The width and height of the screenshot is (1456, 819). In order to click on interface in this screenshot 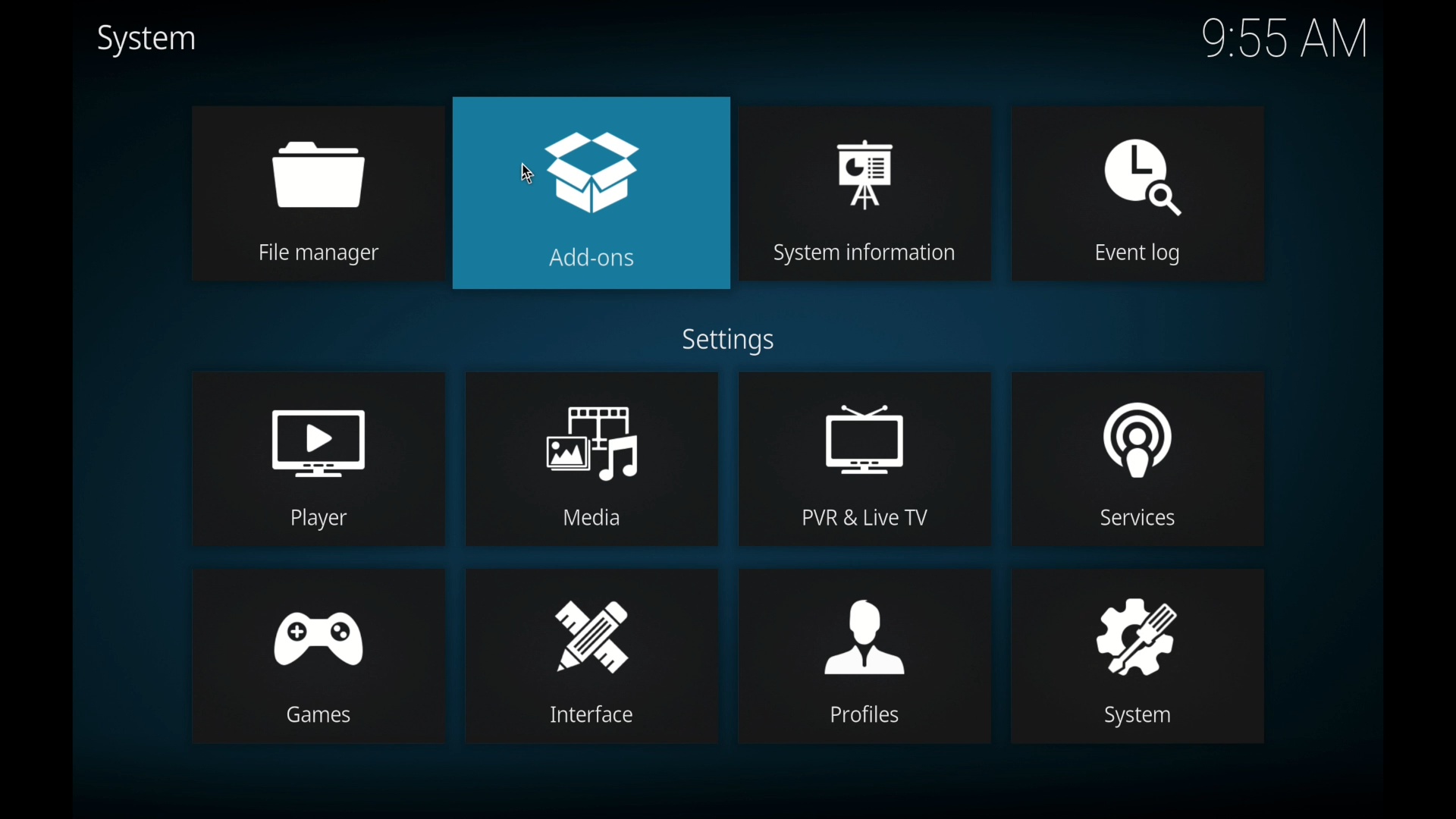, I will do `click(591, 655)`.